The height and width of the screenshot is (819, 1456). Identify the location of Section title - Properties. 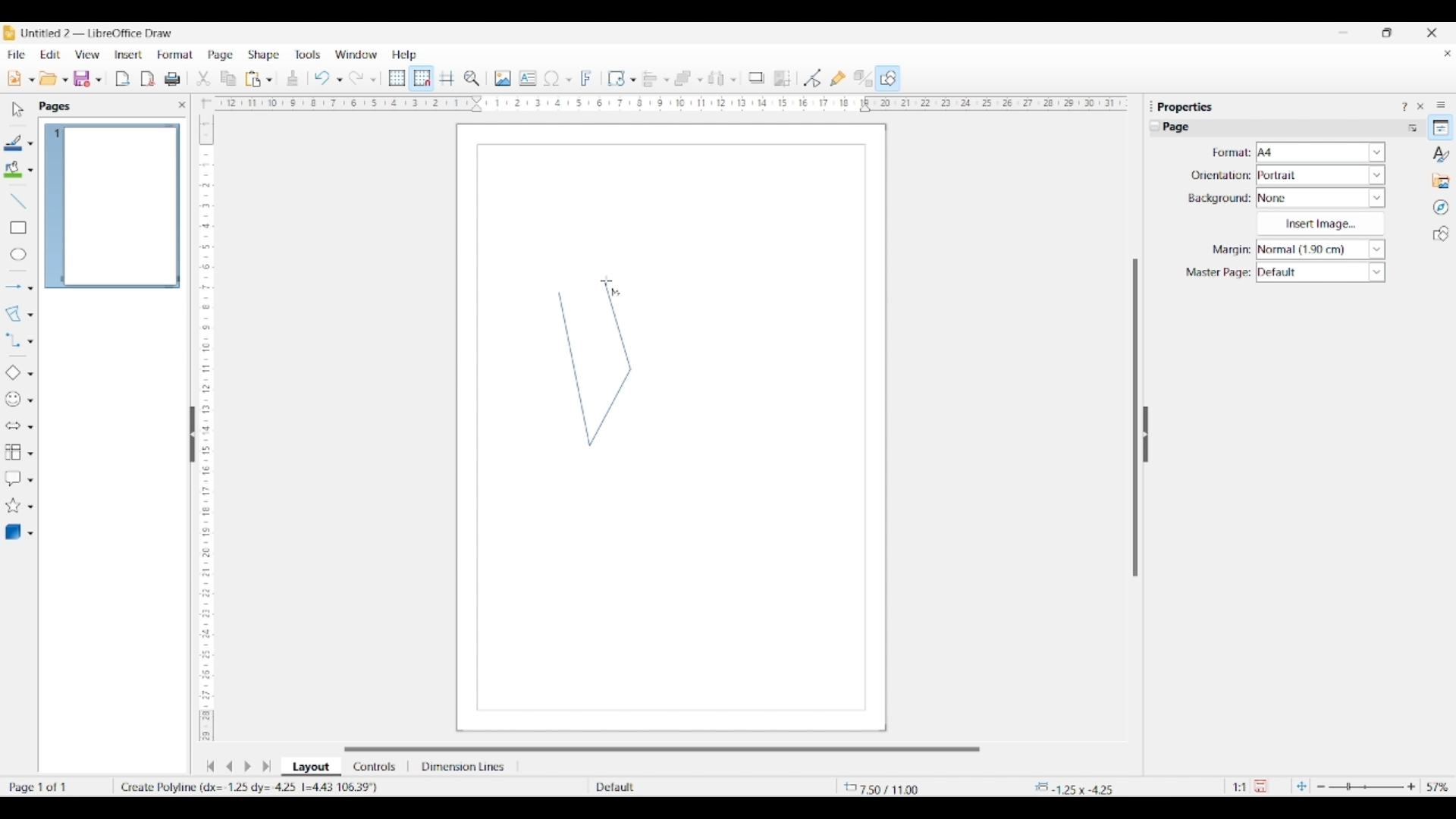
(1187, 106).